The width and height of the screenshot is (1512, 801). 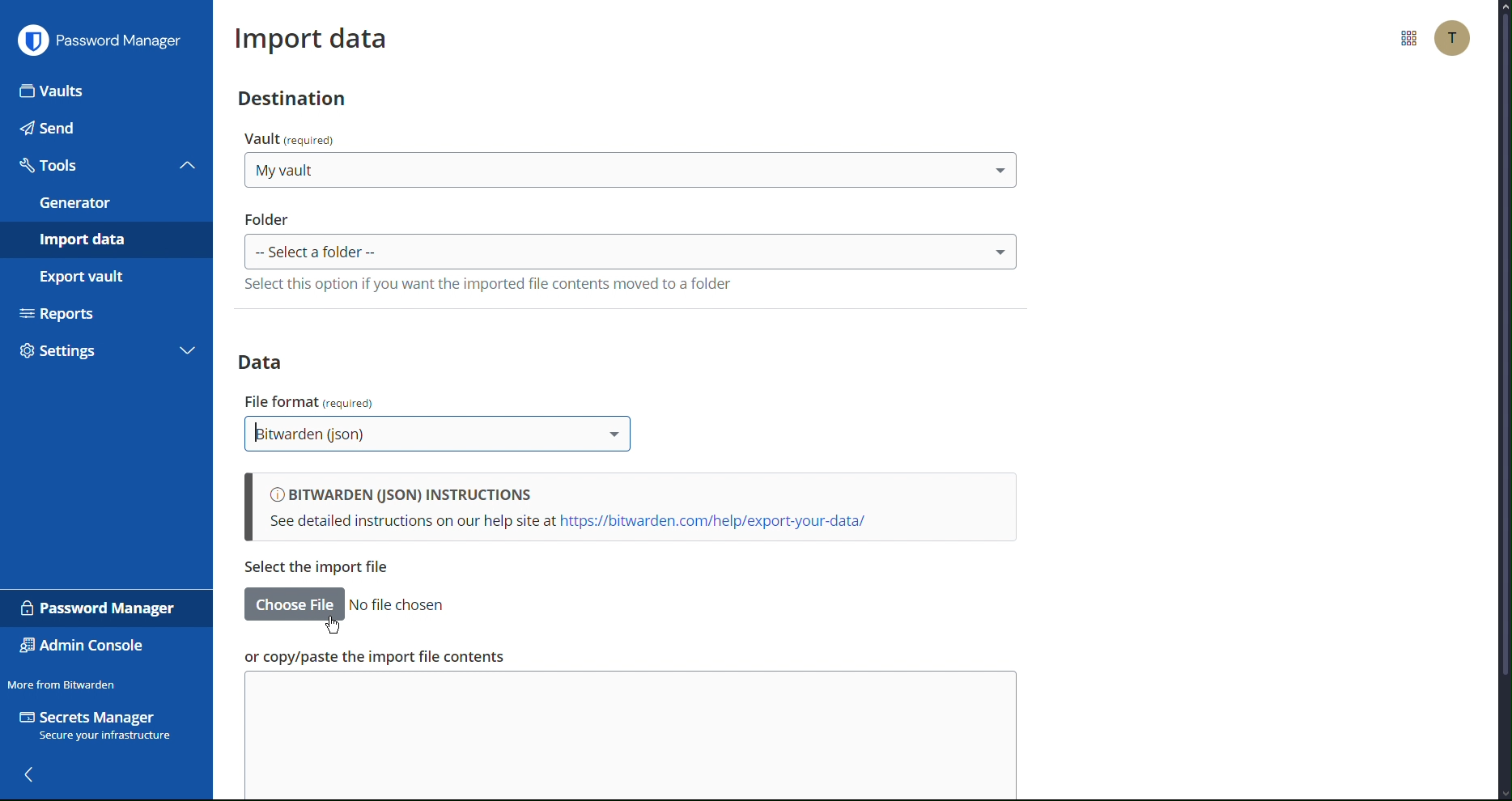 I want to click on Cursor, so click(x=338, y=626).